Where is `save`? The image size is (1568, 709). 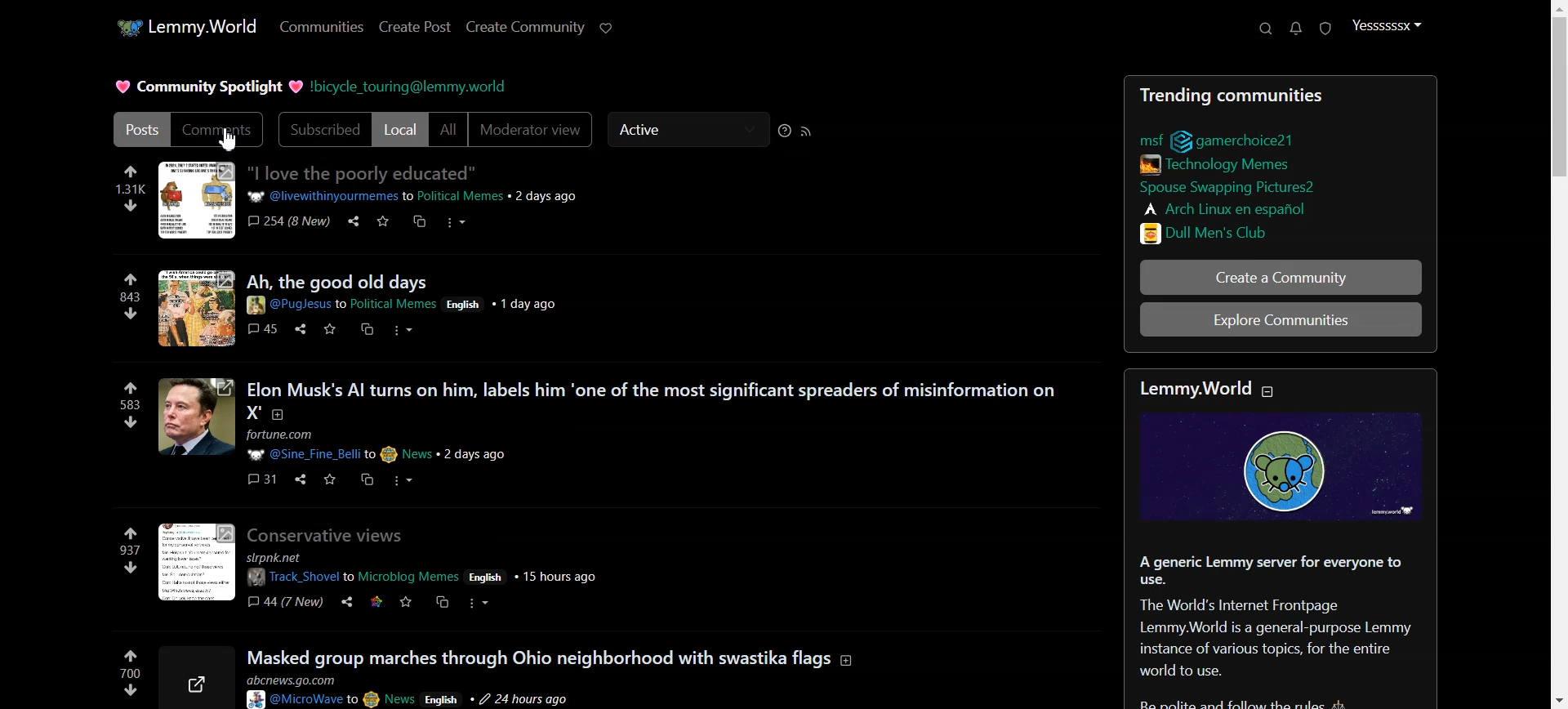
save is located at coordinates (381, 219).